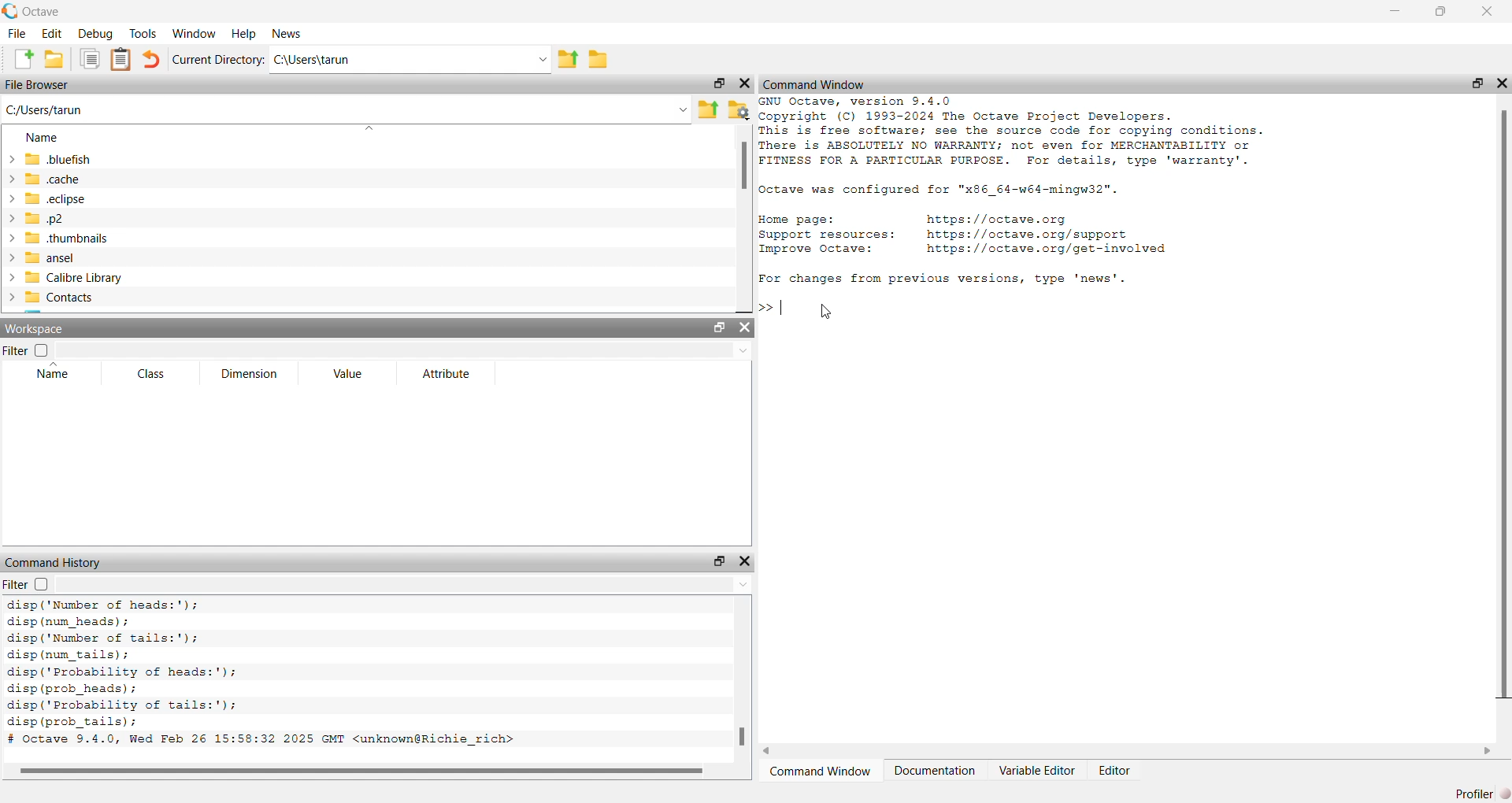  Describe the element at coordinates (120, 60) in the screenshot. I see `Paste` at that location.